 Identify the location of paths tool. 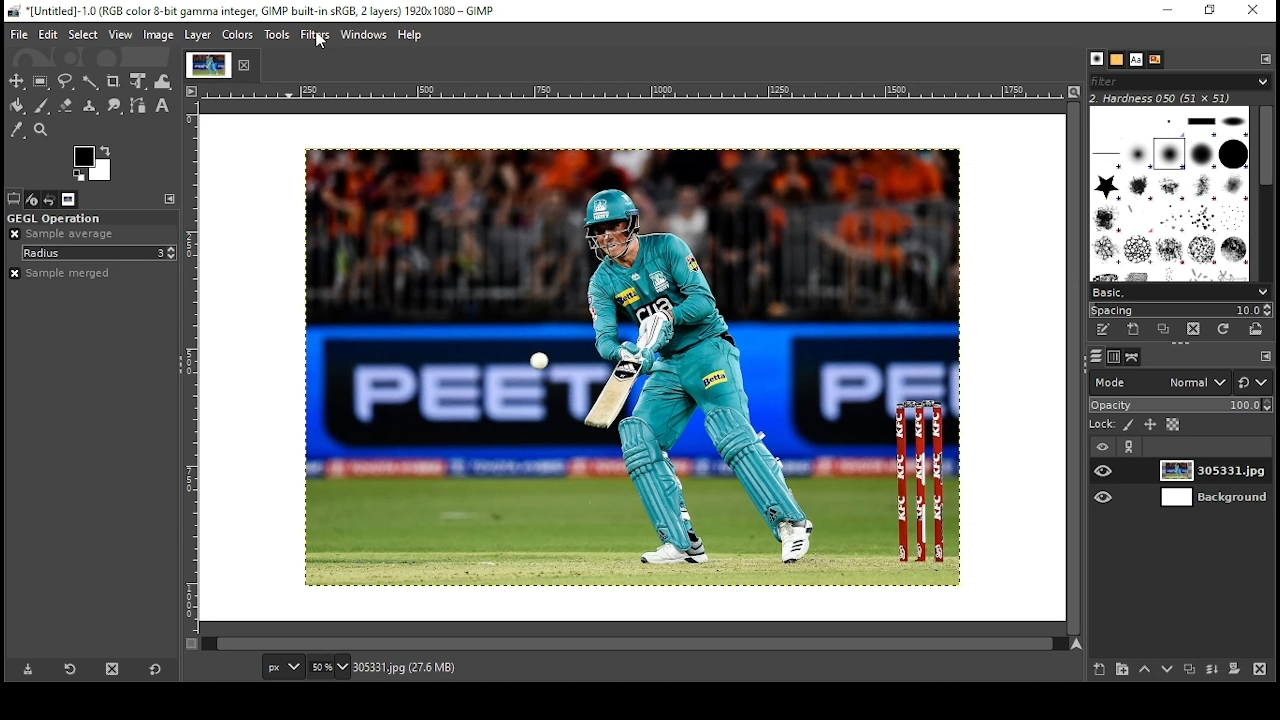
(139, 105).